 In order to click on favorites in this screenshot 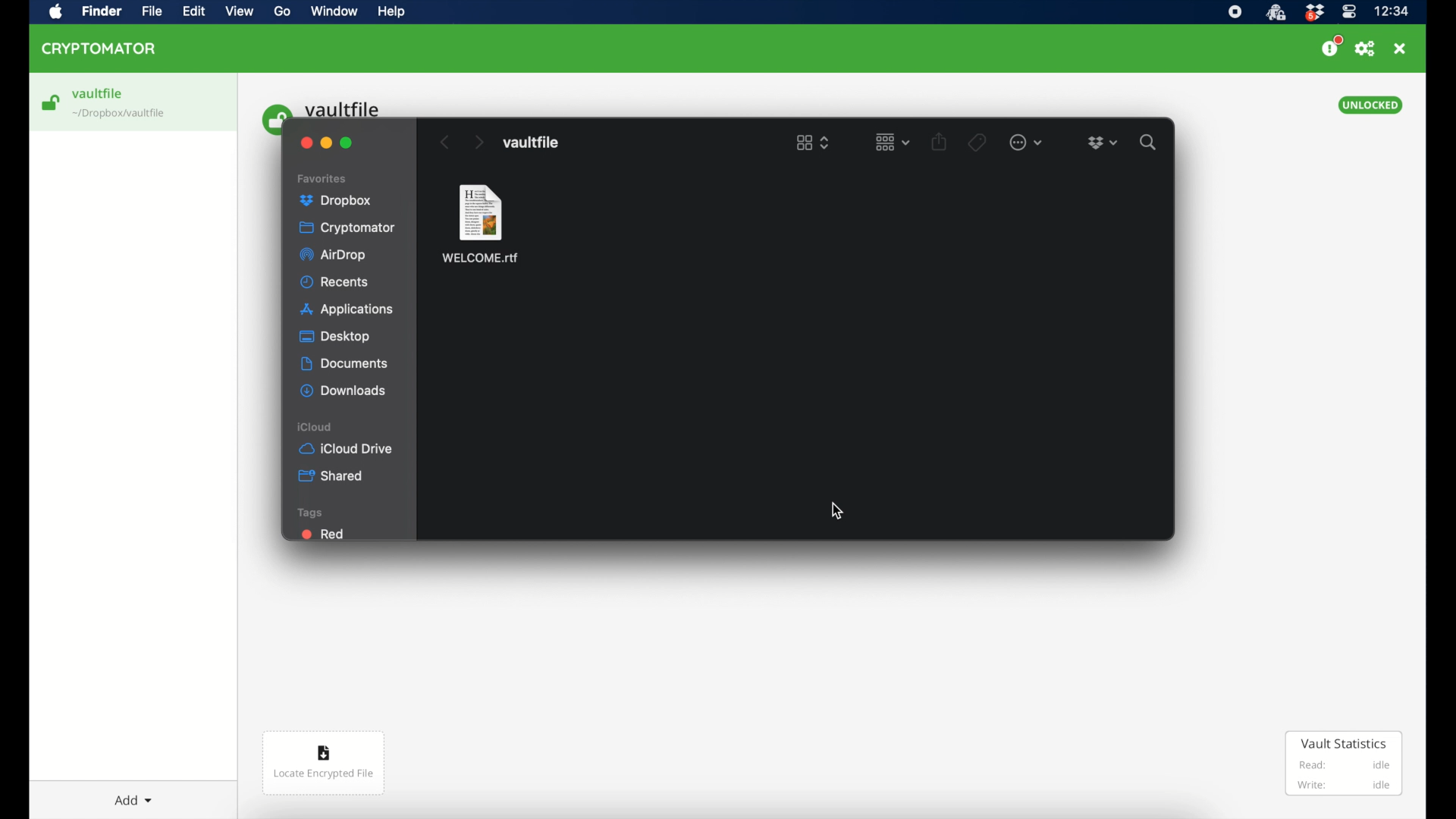, I will do `click(323, 178)`.